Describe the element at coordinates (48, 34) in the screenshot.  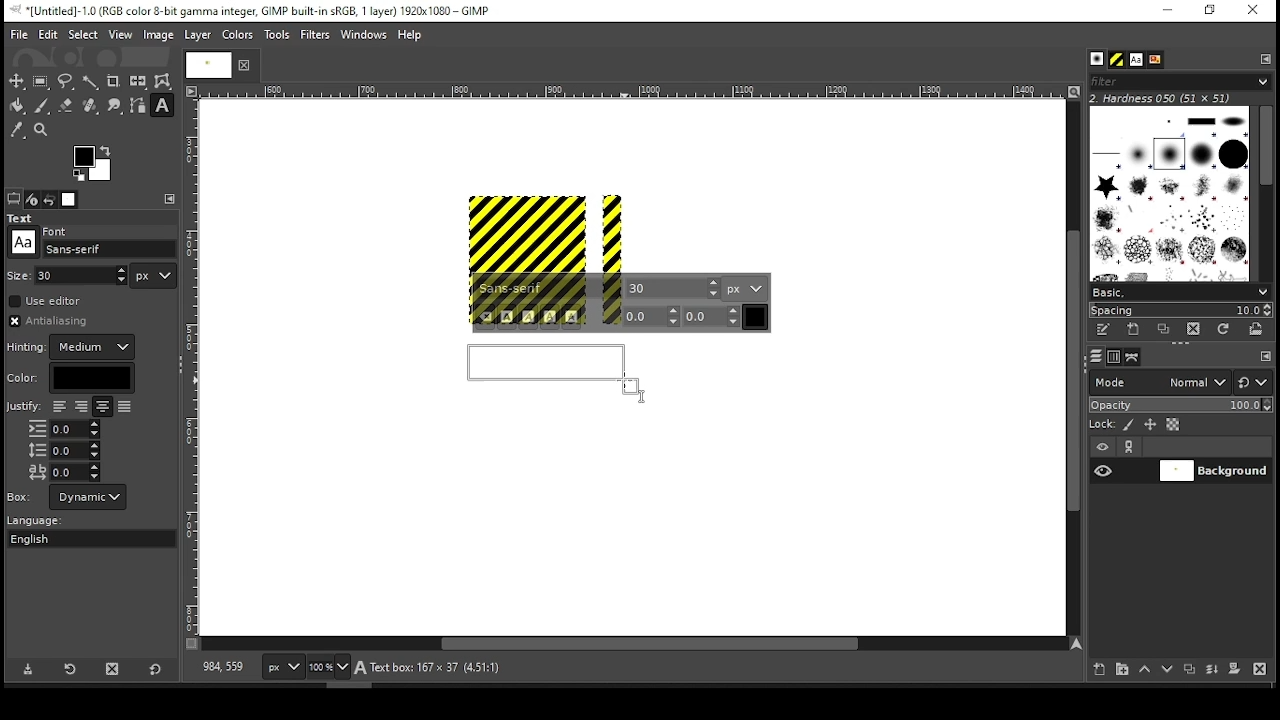
I see `edit` at that location.